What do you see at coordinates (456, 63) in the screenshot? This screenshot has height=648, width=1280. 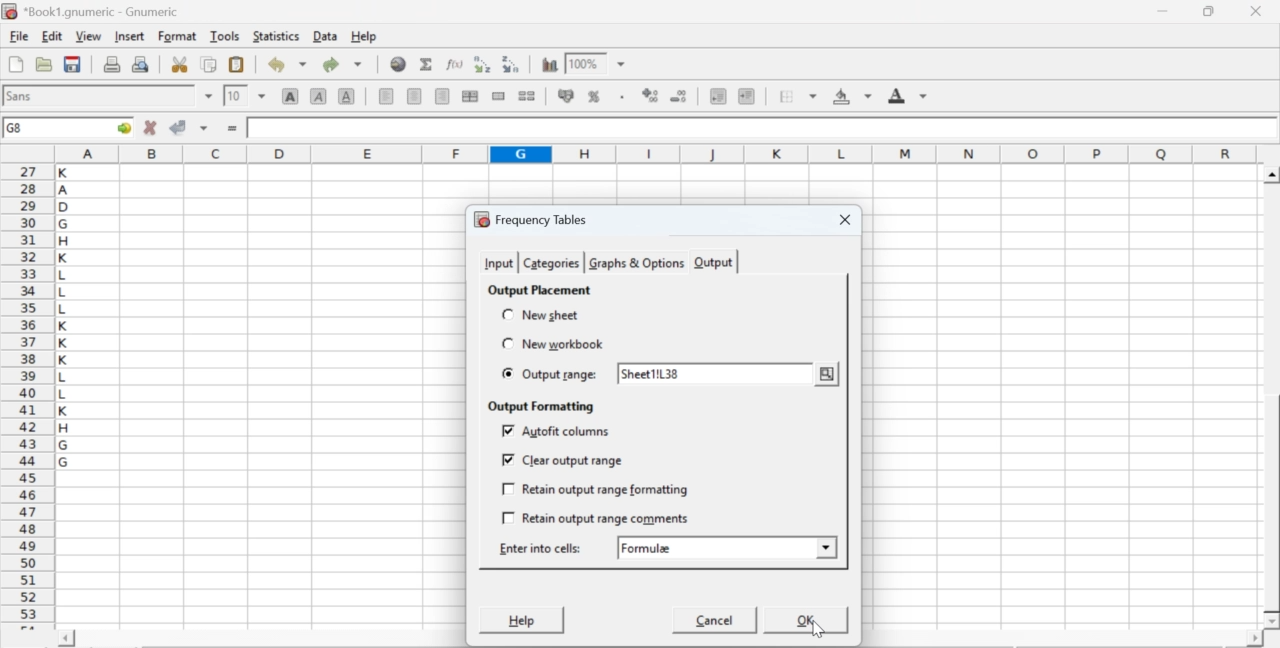 I see `edit function in current cell` at bounding box center [456, 63].